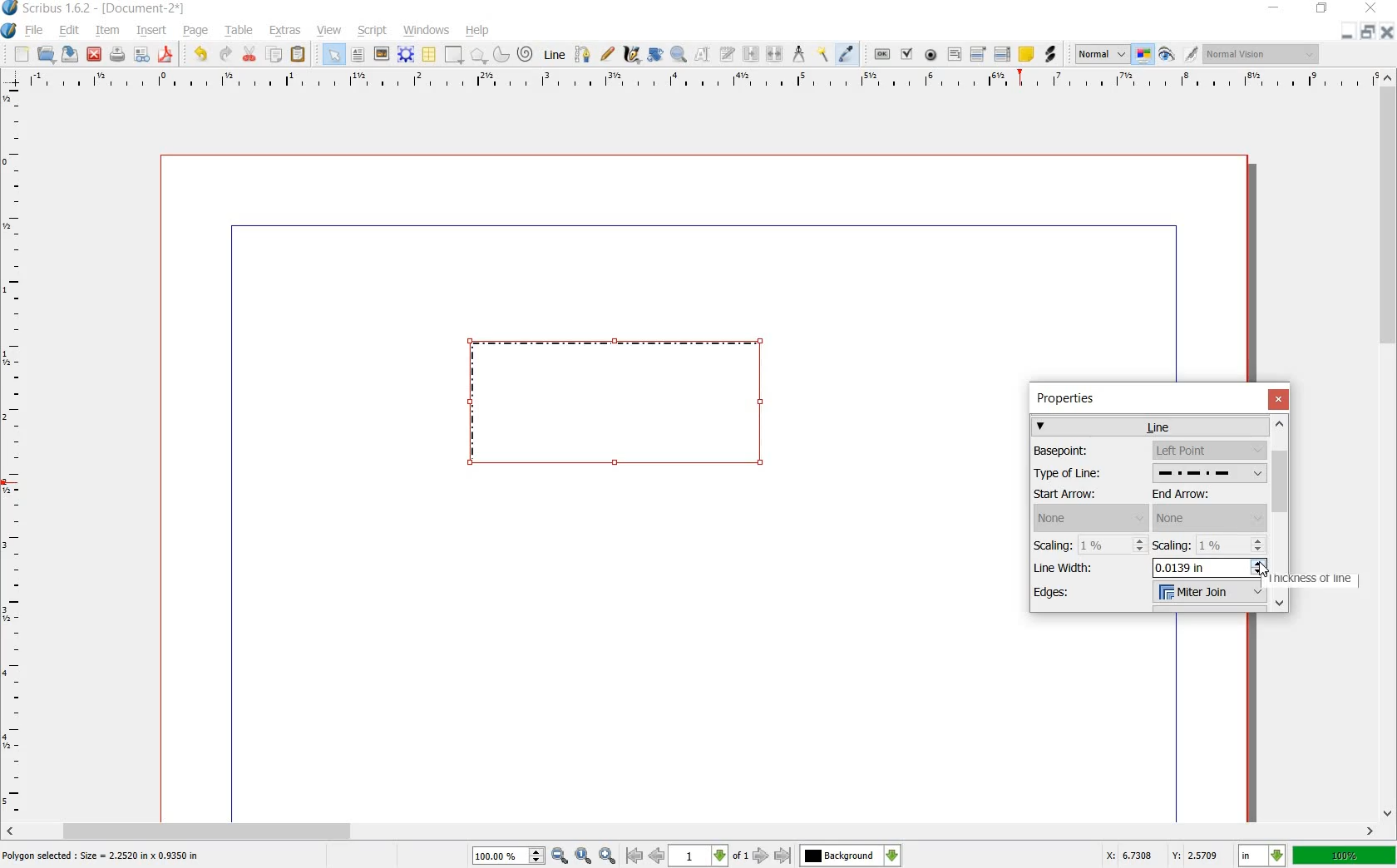  Describe the element at coordinates (1208, 594) in the screenshot. I see `edges` at that location.